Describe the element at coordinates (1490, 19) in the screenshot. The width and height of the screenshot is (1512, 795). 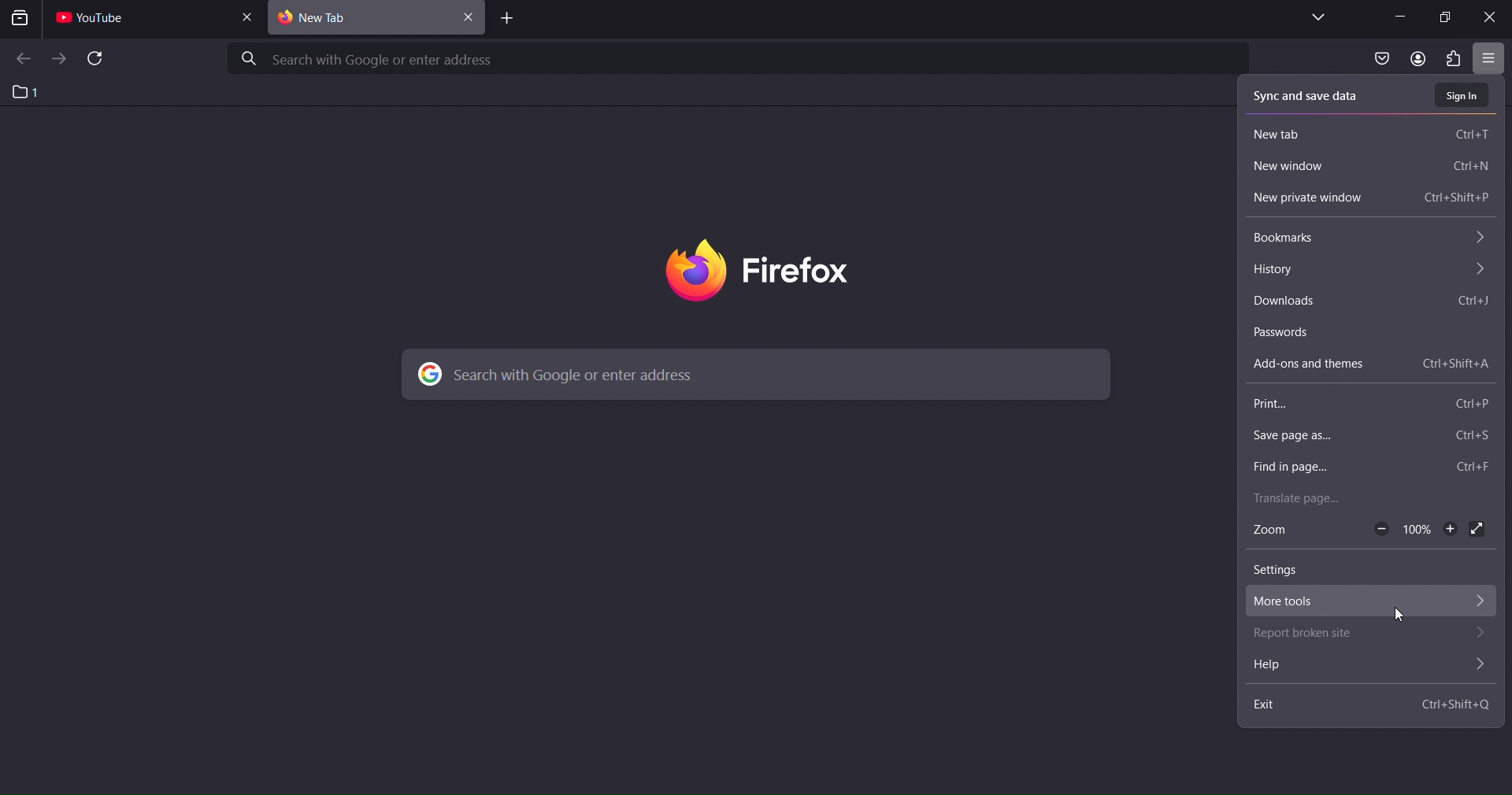
I see `close` at that location.